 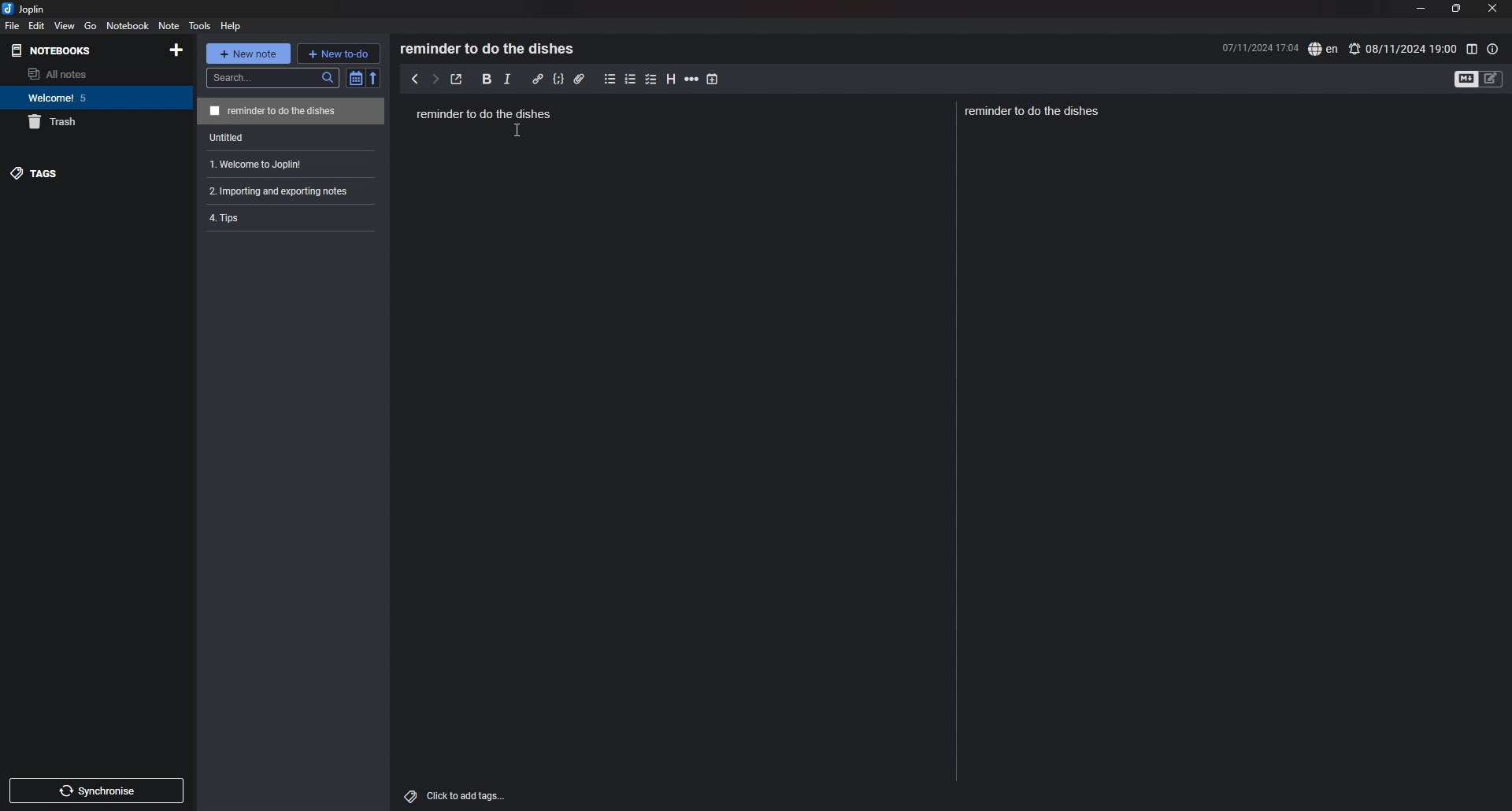 I want to click on add tags, so click(x=457, y=796).